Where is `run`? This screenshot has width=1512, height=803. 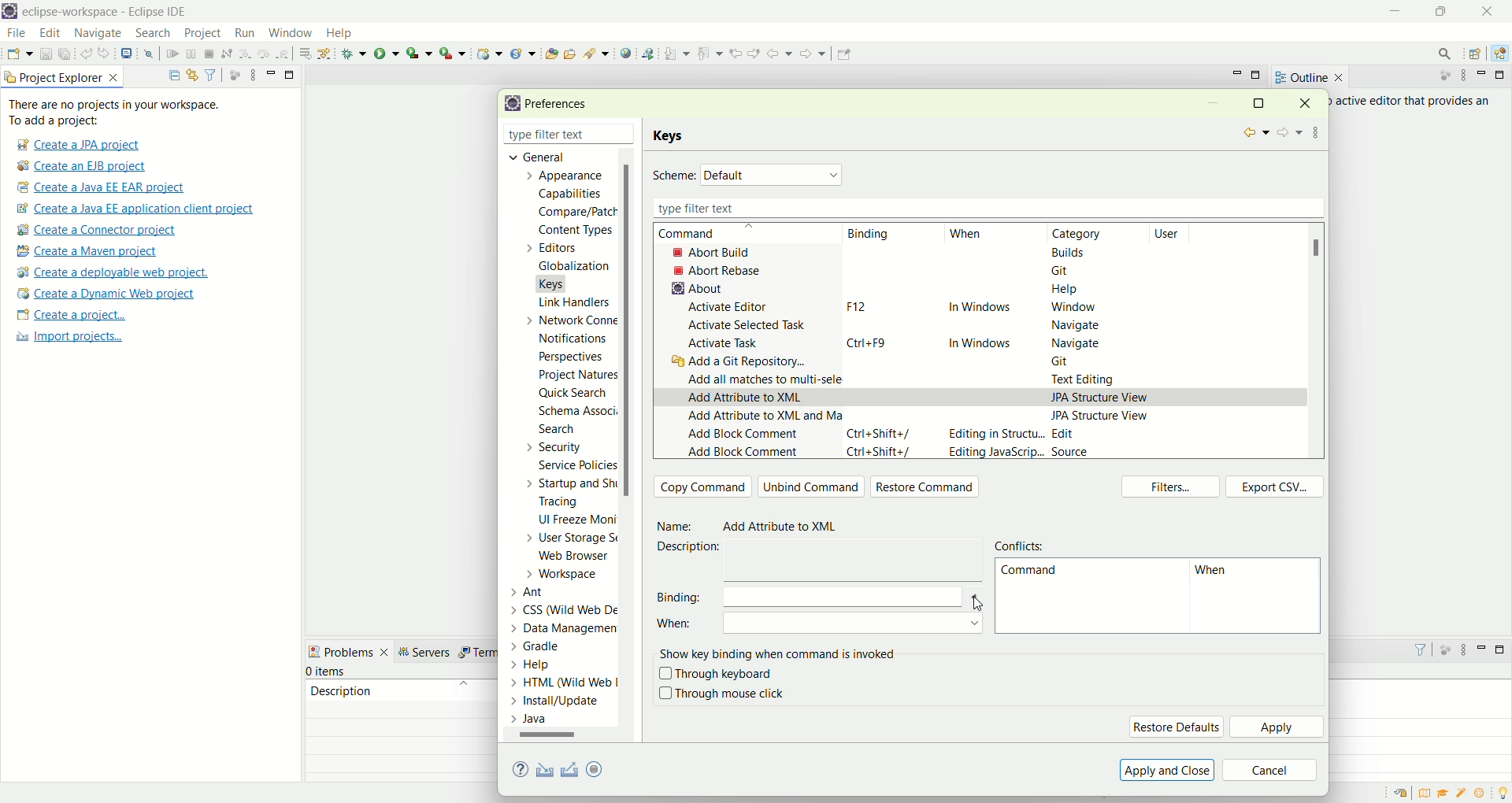
run is located at coordinates (387, 53).